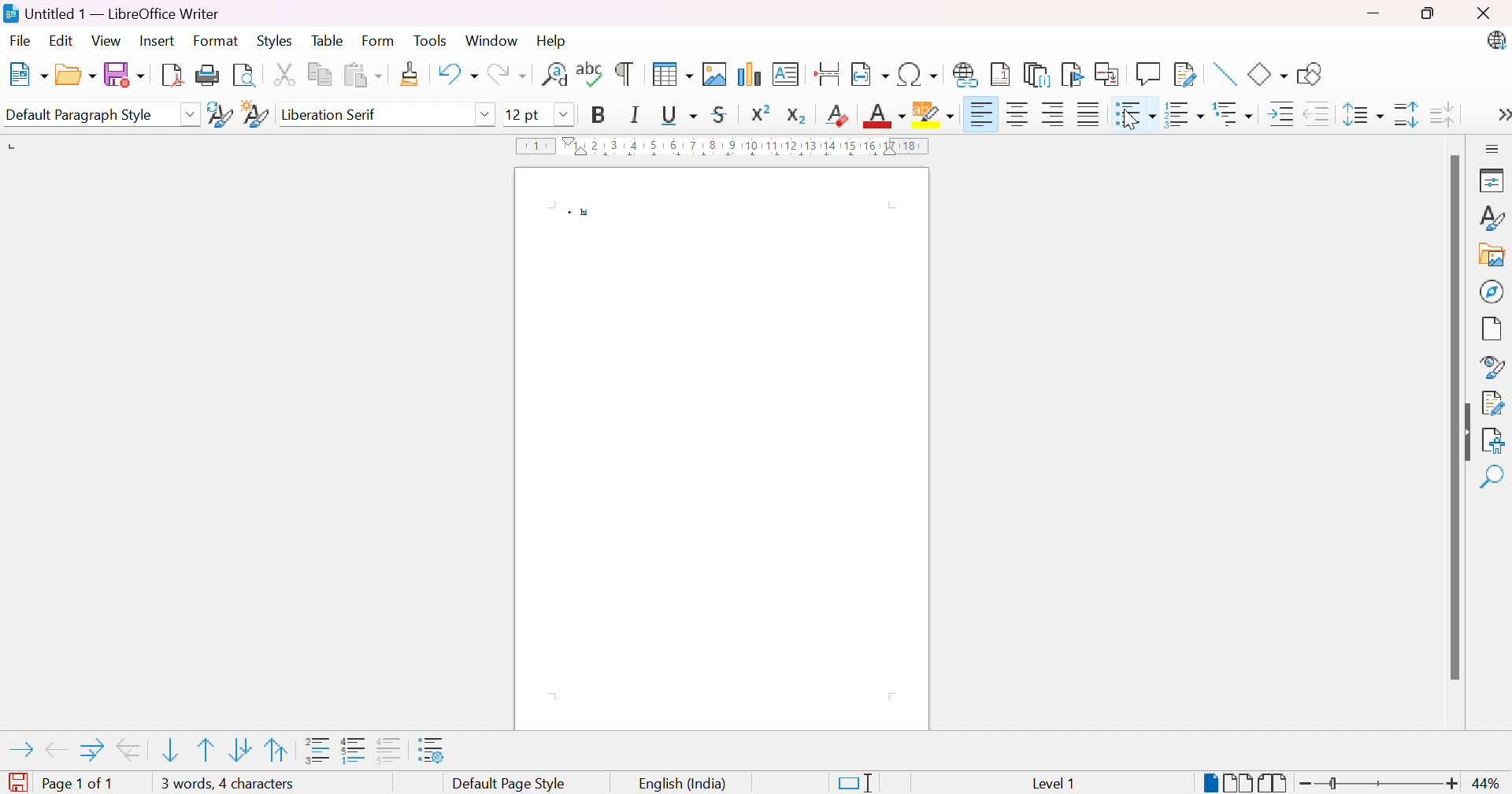 This screenshot has height=794, width=1512. What do you see at coordinates (830, 72) in the screenshot?
I see `Inset page break` at bounding box center [830, 72].